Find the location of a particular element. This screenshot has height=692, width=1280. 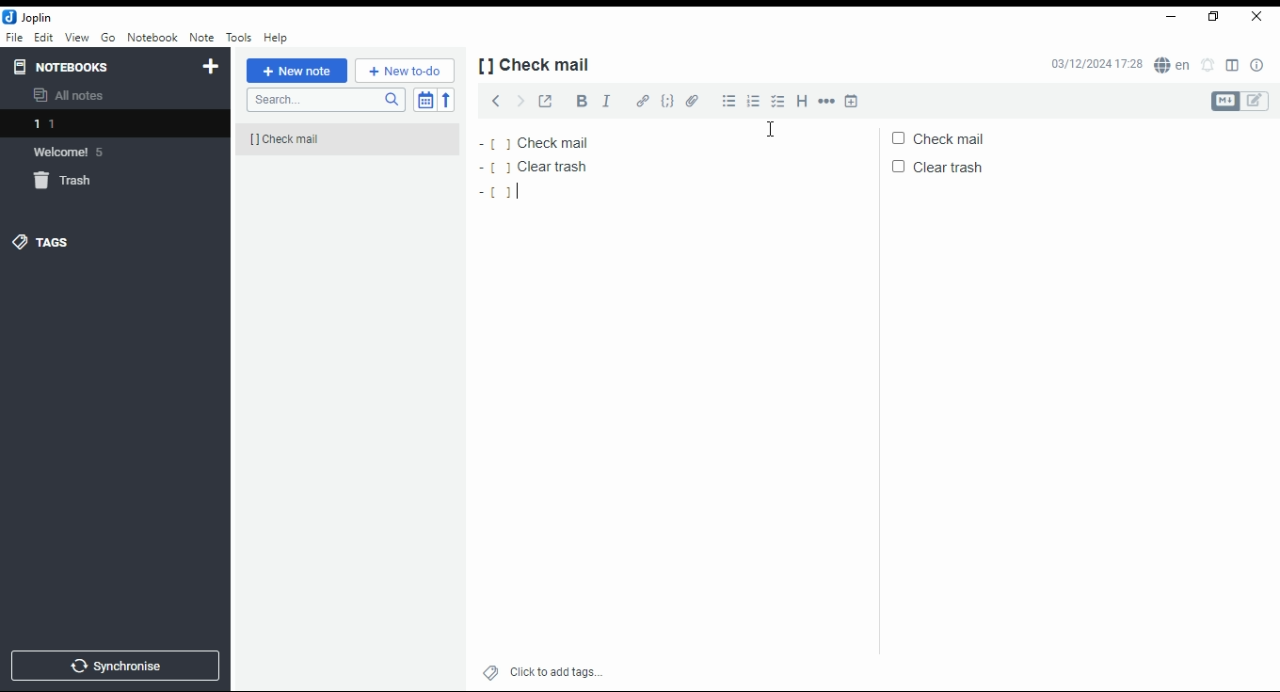

note properties is located at coordinates (1257, 65).